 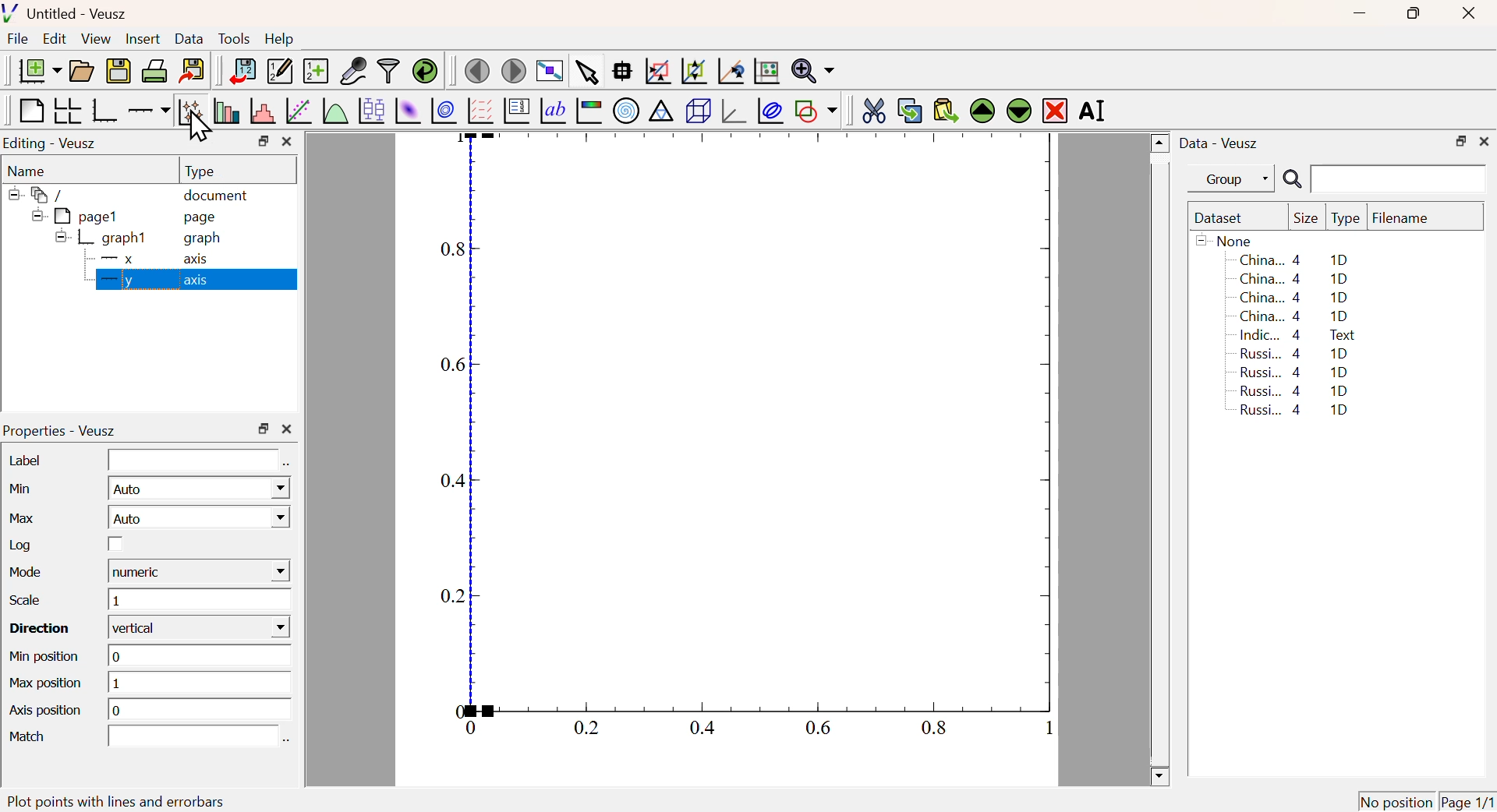 What do you see at coordinates (315, 72) in the screenshot?
I see `Create new dataset` at bounding box center [315, 72].